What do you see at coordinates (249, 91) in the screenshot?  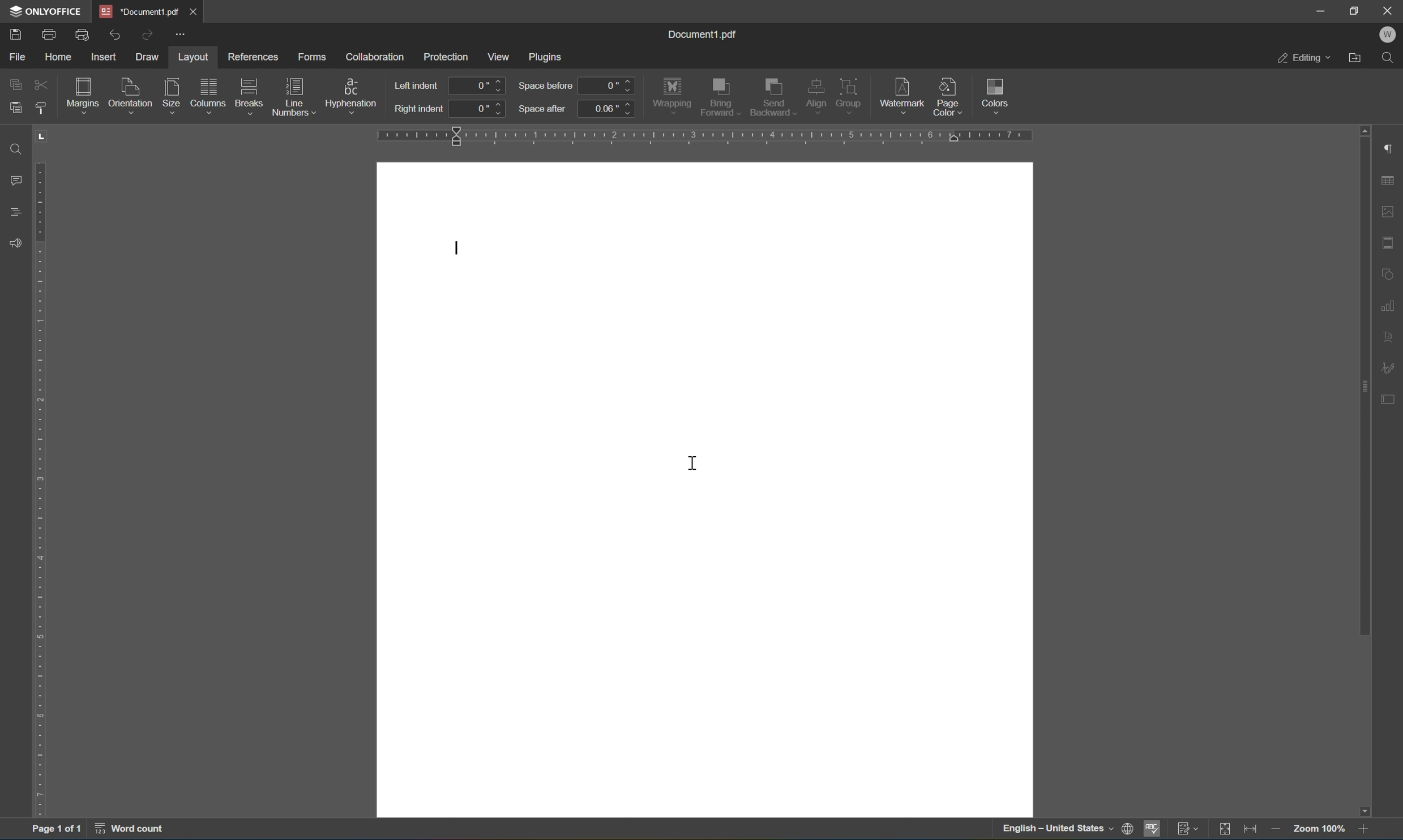 I see `breaks` at bounding box center [249, 91].